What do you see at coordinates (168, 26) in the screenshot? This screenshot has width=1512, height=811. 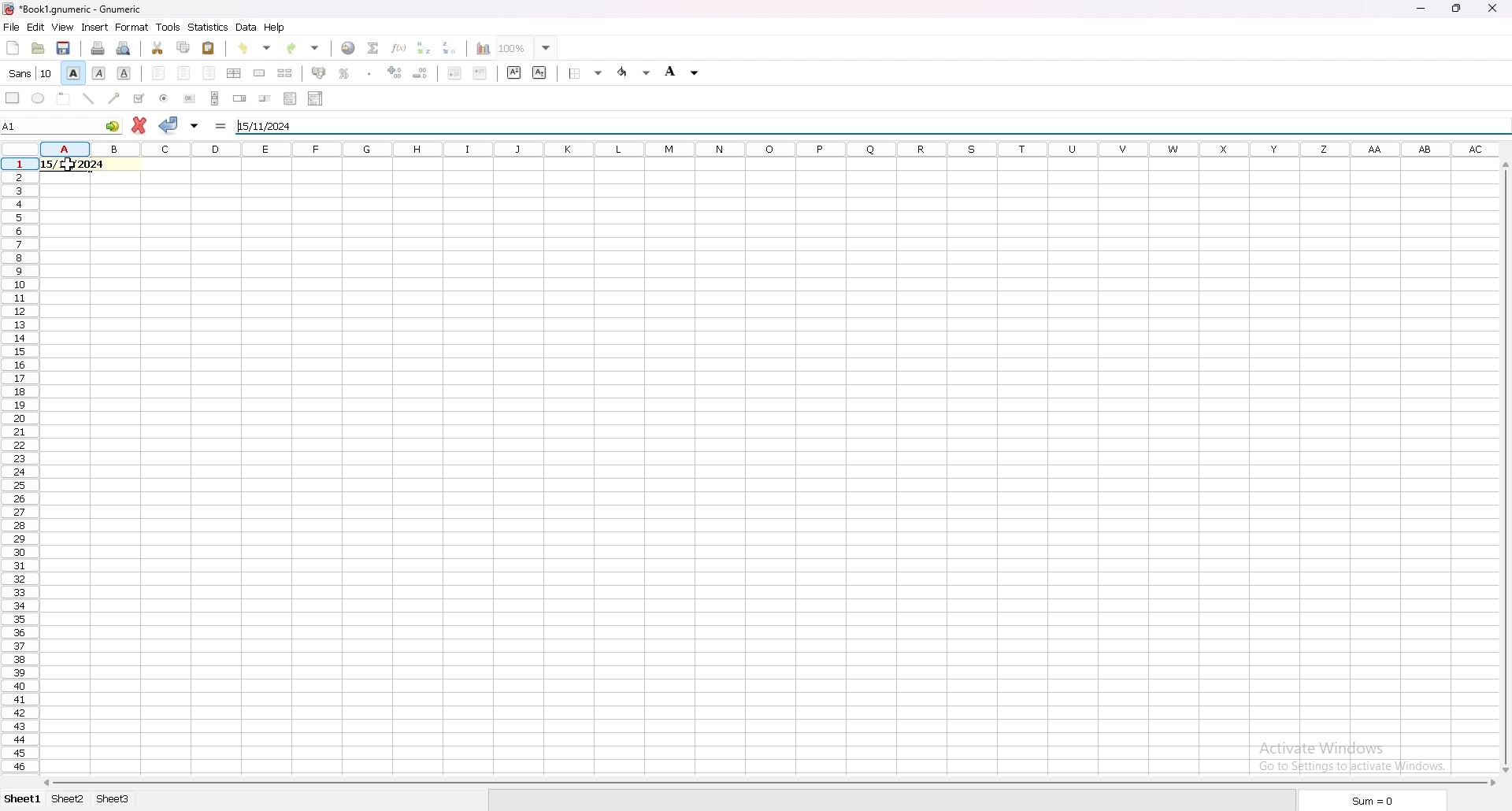 I see `tools` at bounding box center [168, 26].